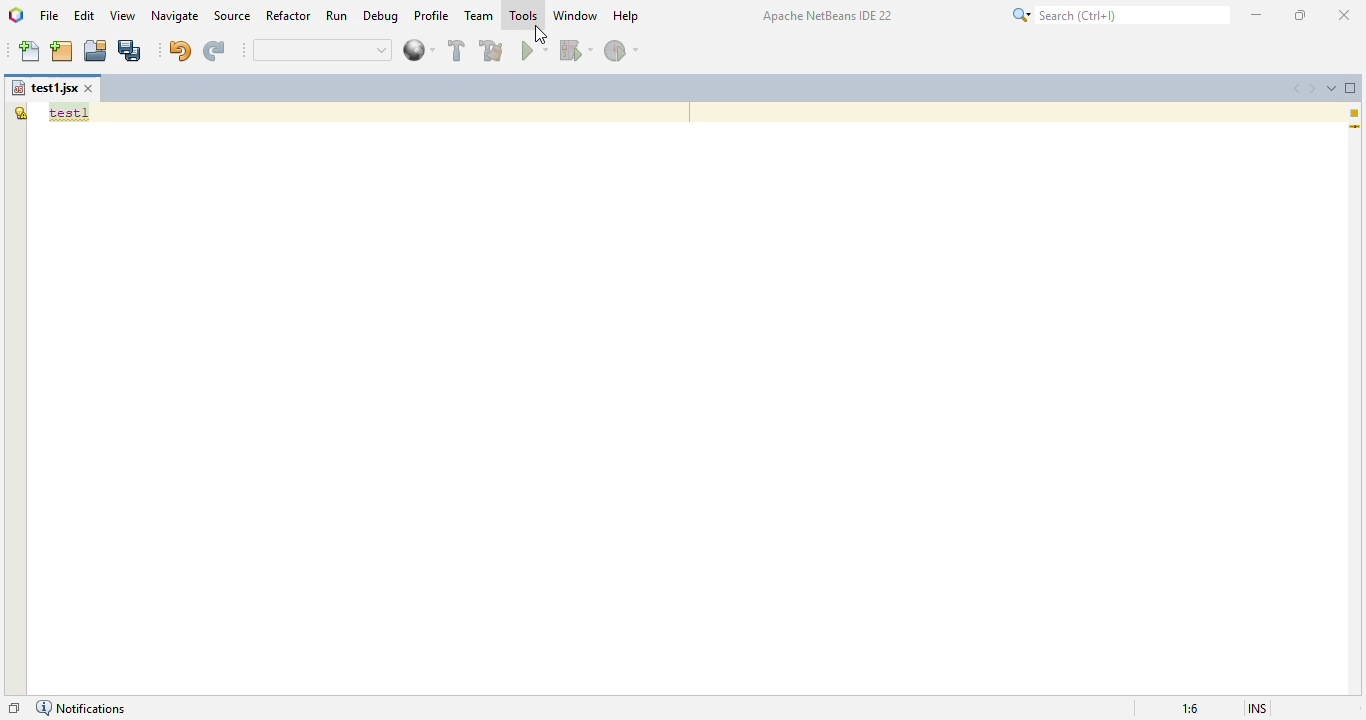 Image resolution: width=1366 pixels, height=720 pixels. Describe the element at coordinates (44, 88) in the screenshot. I see `file name` at that location.